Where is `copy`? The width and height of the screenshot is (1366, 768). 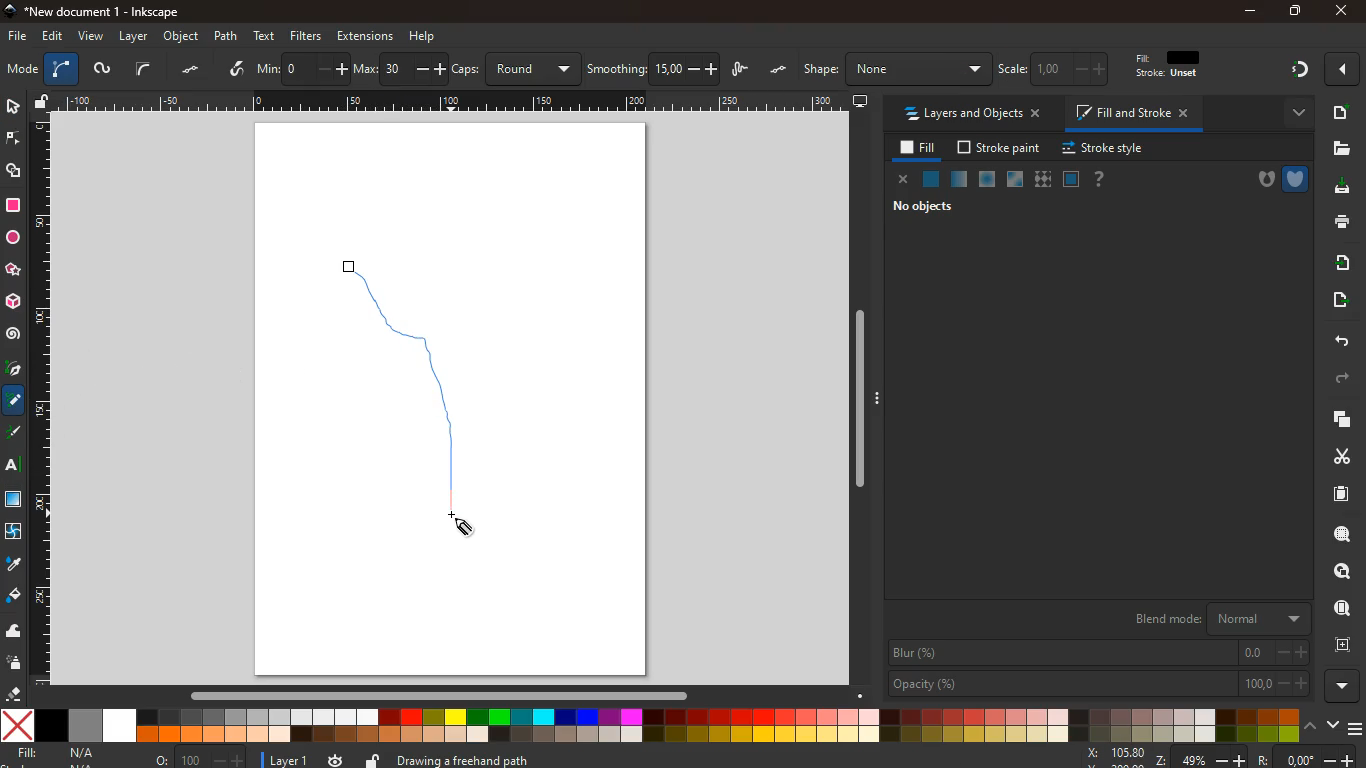 copy is located at coordinates (1338, 420).